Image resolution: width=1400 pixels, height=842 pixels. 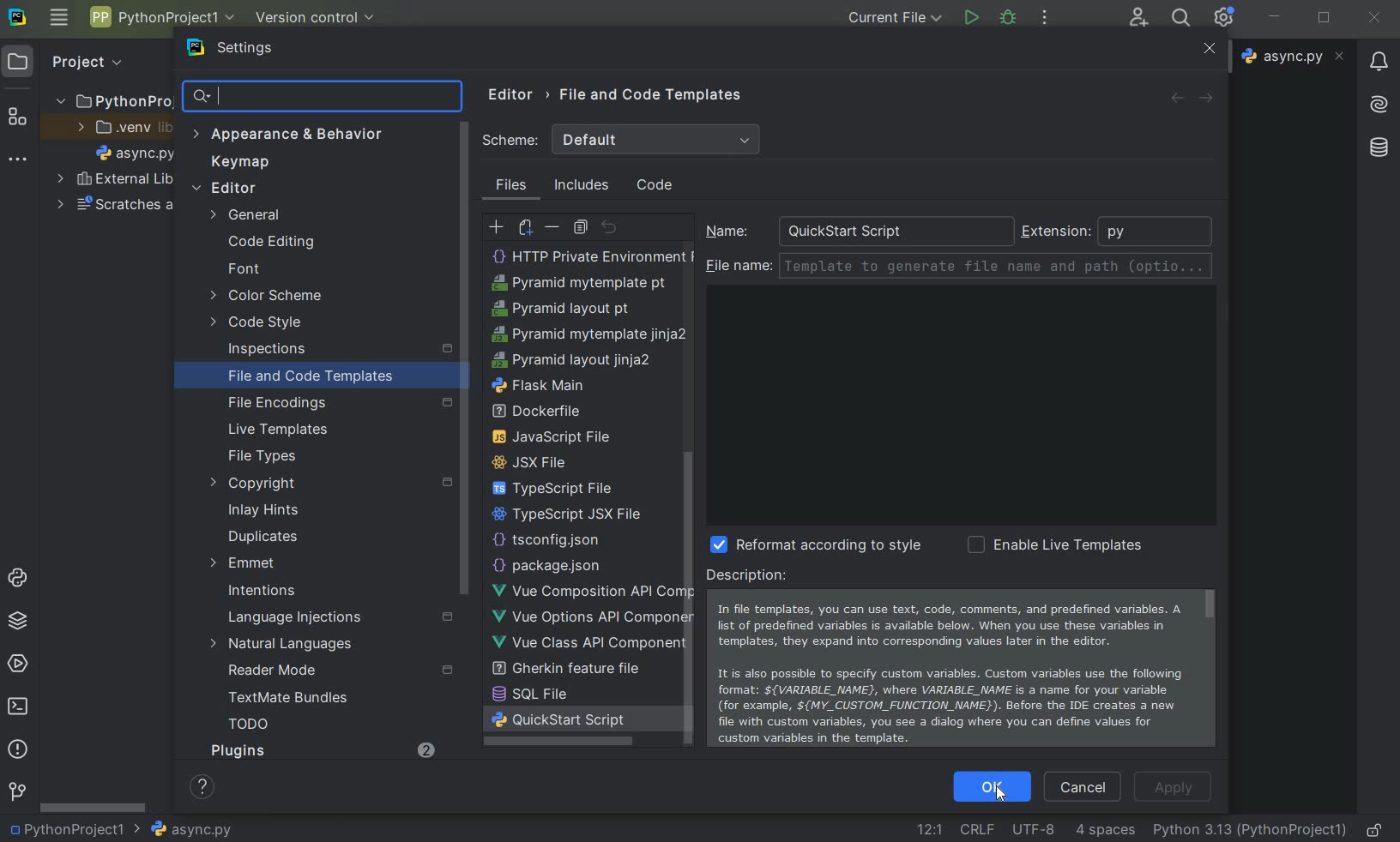 I want to click on database, so click(x=1379, y=153).